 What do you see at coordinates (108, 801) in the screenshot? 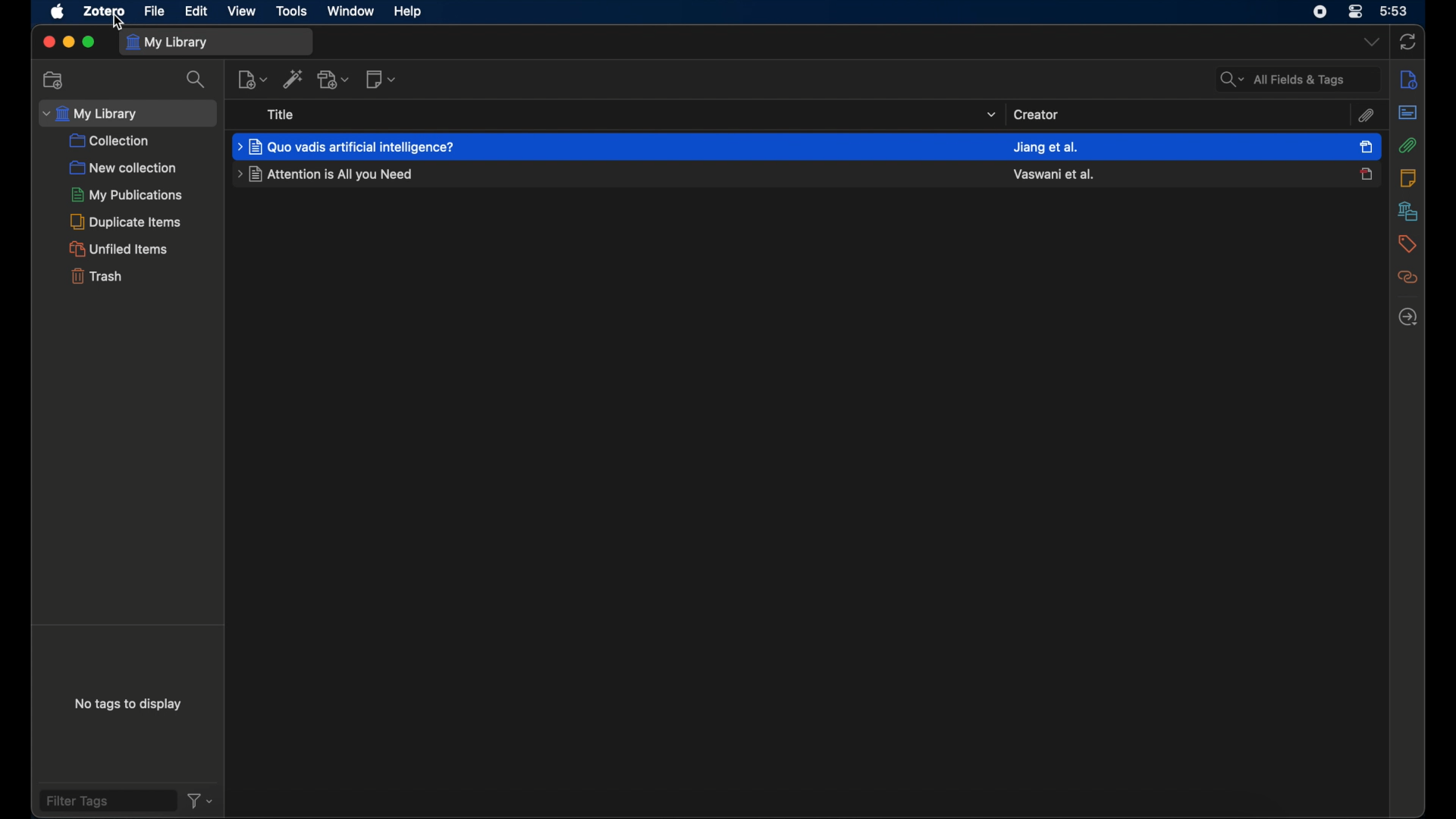
I see `filter tags field` at bounding box center [108, 801].